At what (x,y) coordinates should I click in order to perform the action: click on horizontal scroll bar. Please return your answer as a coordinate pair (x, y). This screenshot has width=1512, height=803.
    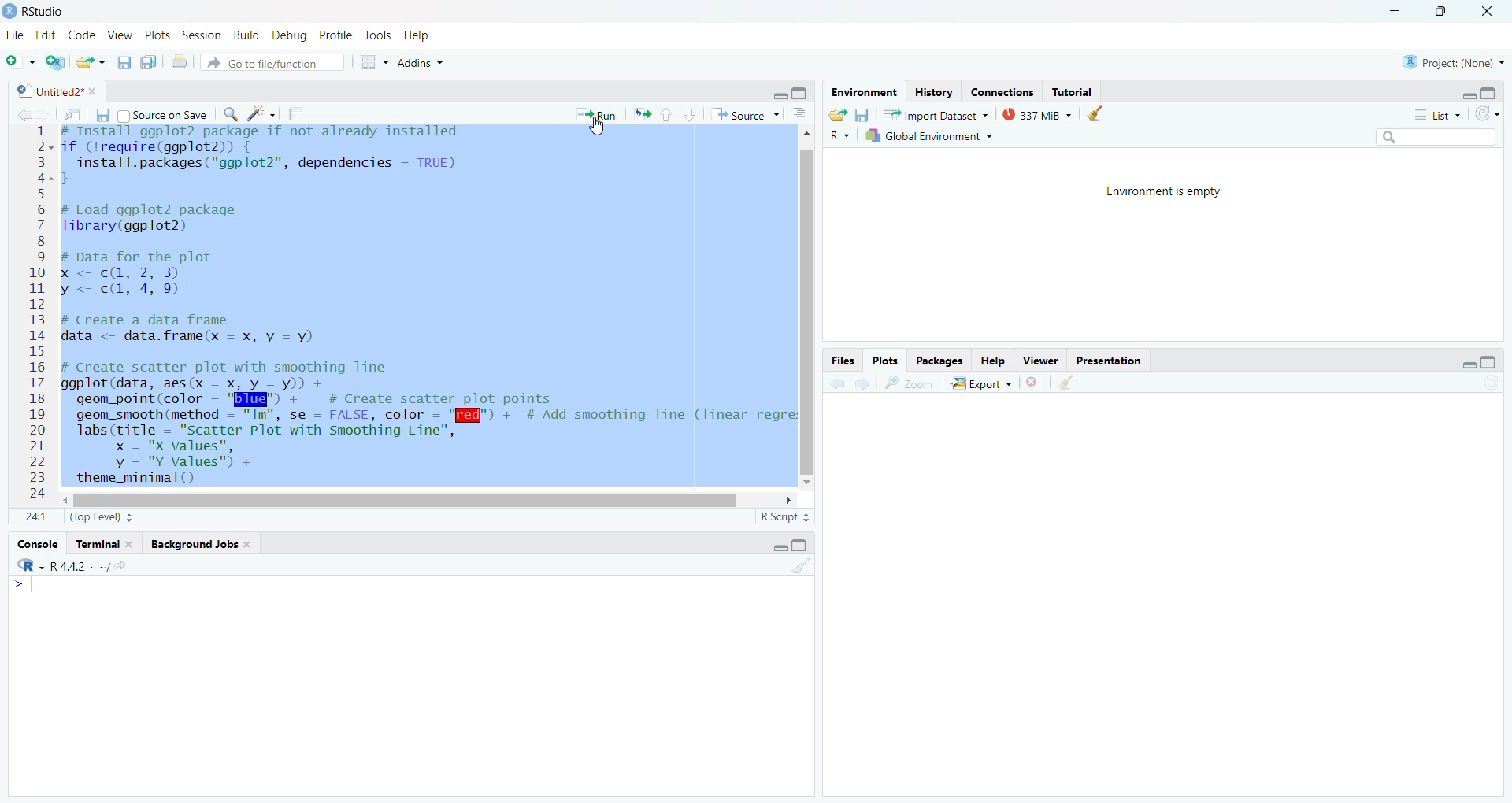
    Looking at the image, I should click on (403, 499).